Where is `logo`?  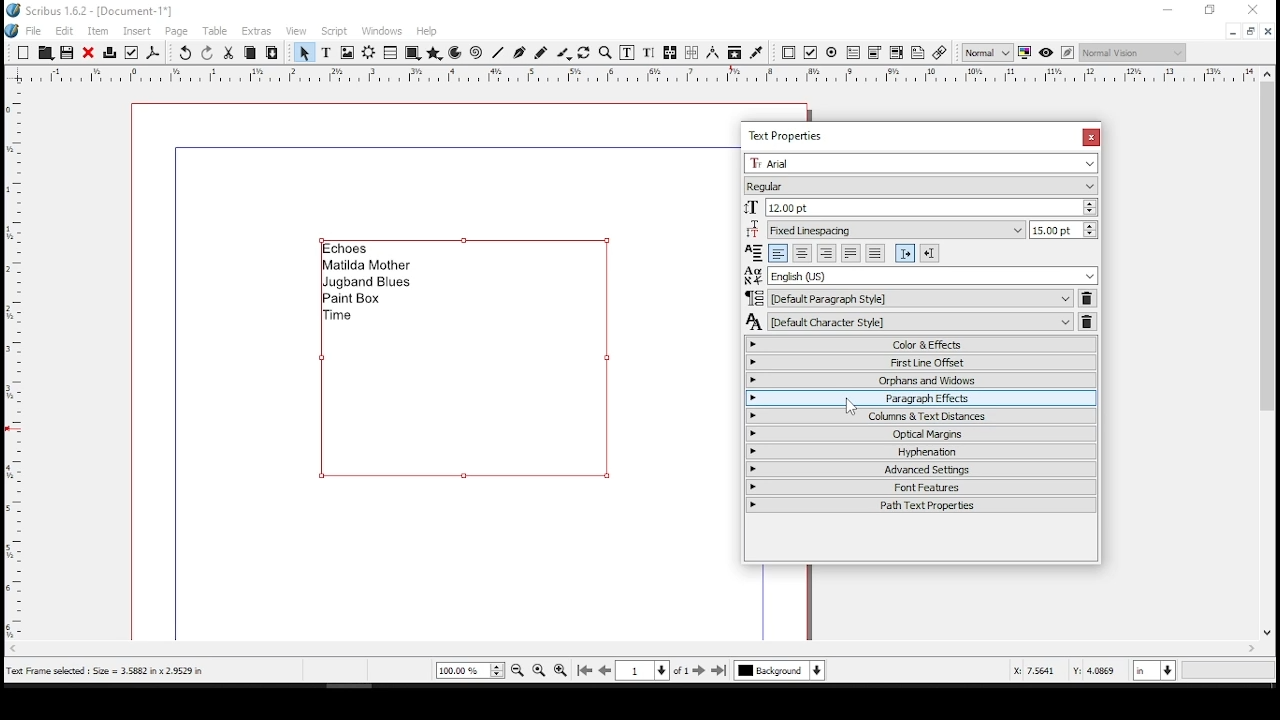 logo is located at coordinates (12, 32).